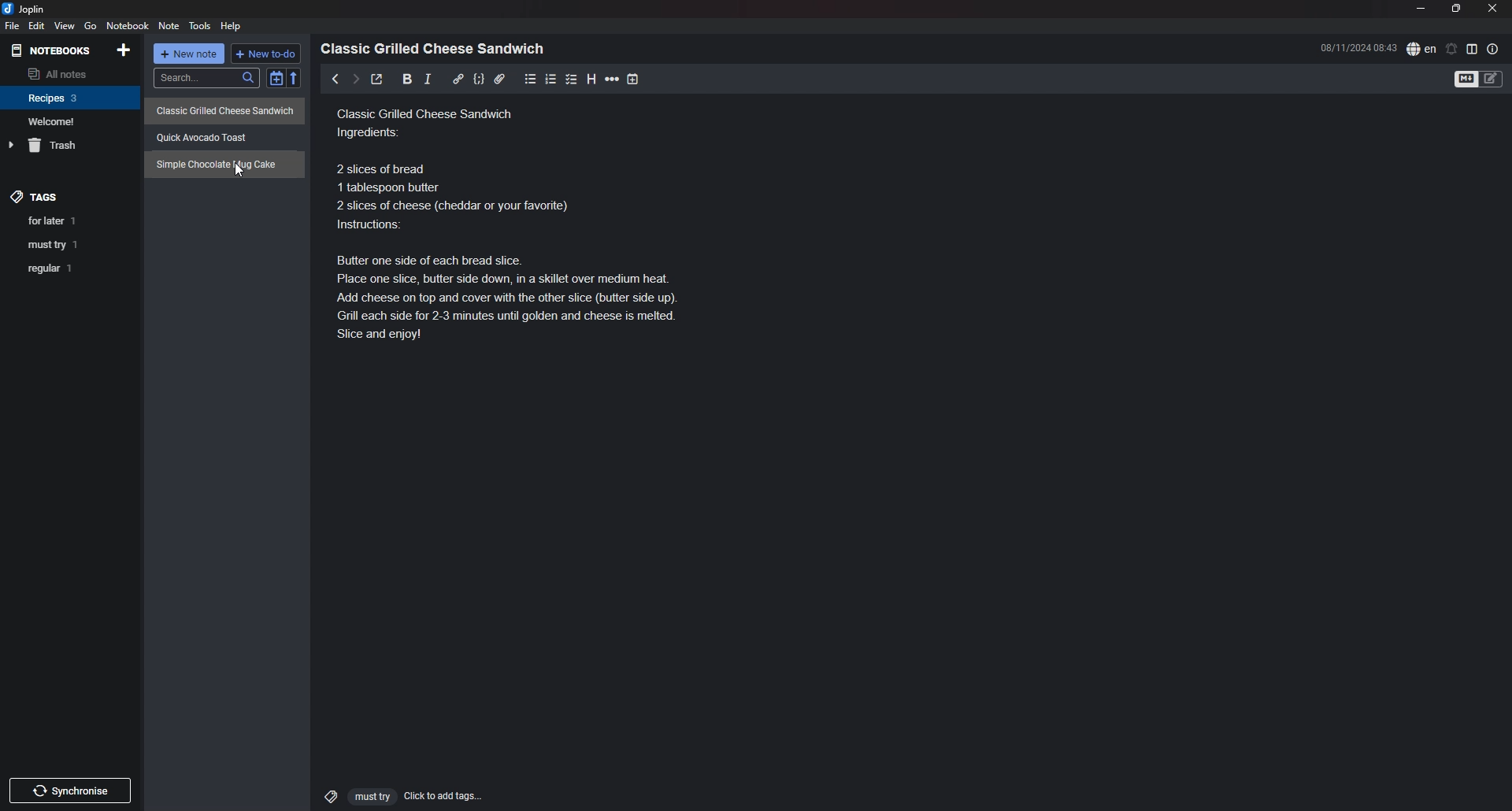  Describe the element at coordinates (531, 79) in the screenshot. I see `bullet list` at that location.